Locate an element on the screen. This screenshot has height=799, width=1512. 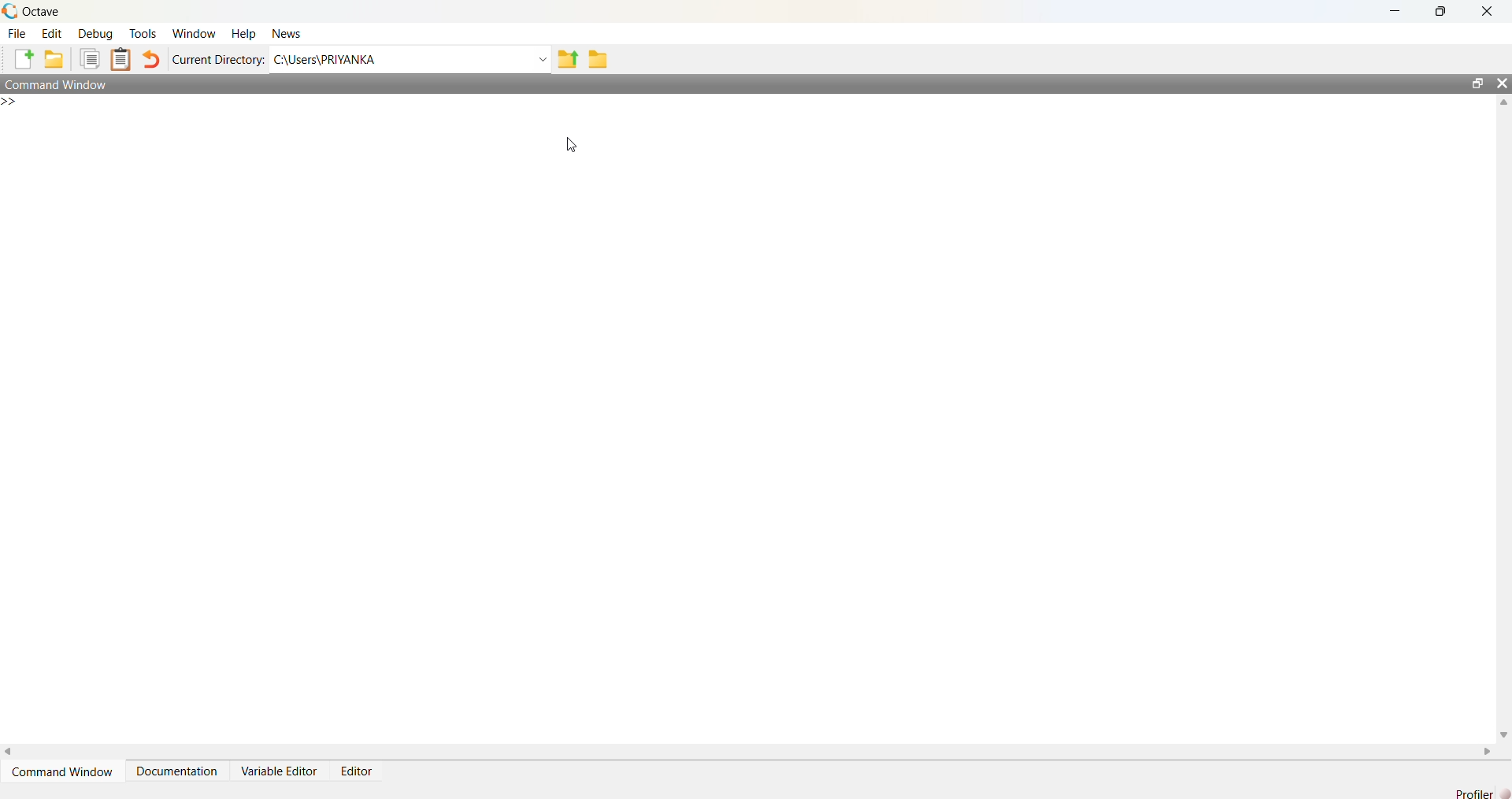
Minimize is located at coordinates (1403, 12).